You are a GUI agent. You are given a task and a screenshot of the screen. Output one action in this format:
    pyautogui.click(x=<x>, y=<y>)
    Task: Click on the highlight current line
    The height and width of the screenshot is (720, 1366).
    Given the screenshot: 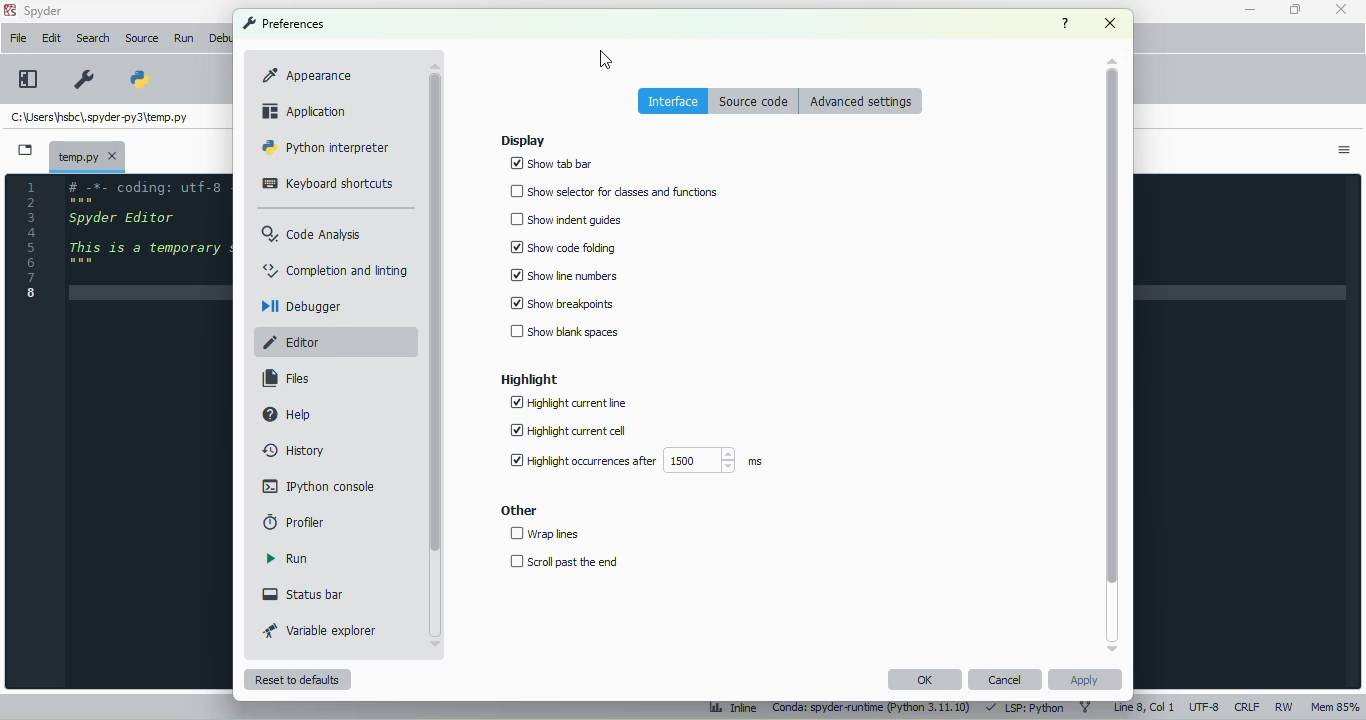 What is the action you would take?
    pyautogui.click(x=570, y=403)
    